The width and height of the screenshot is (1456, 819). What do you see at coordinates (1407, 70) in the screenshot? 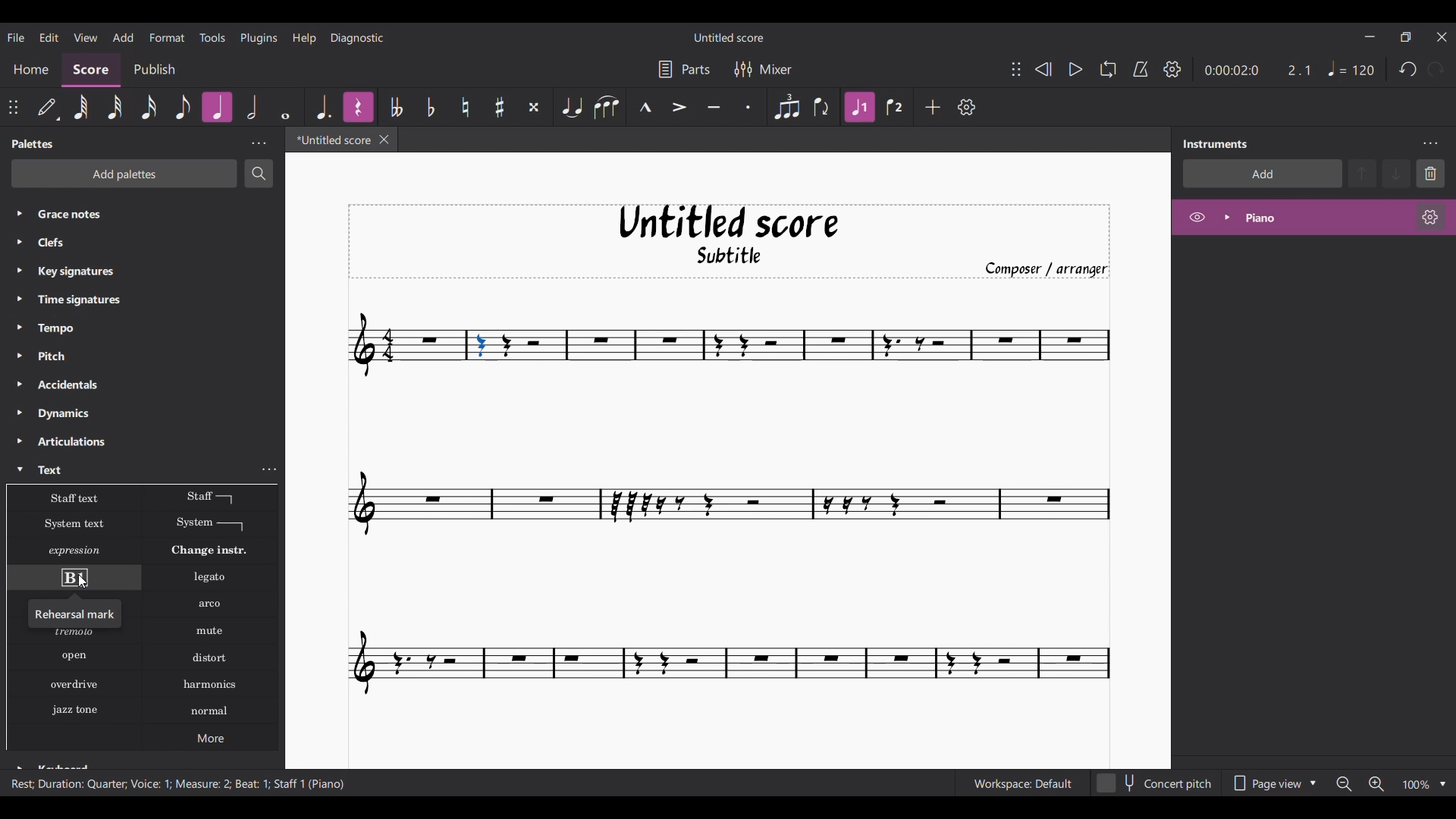
I see `Undo` at bounding box center [1407, 70].